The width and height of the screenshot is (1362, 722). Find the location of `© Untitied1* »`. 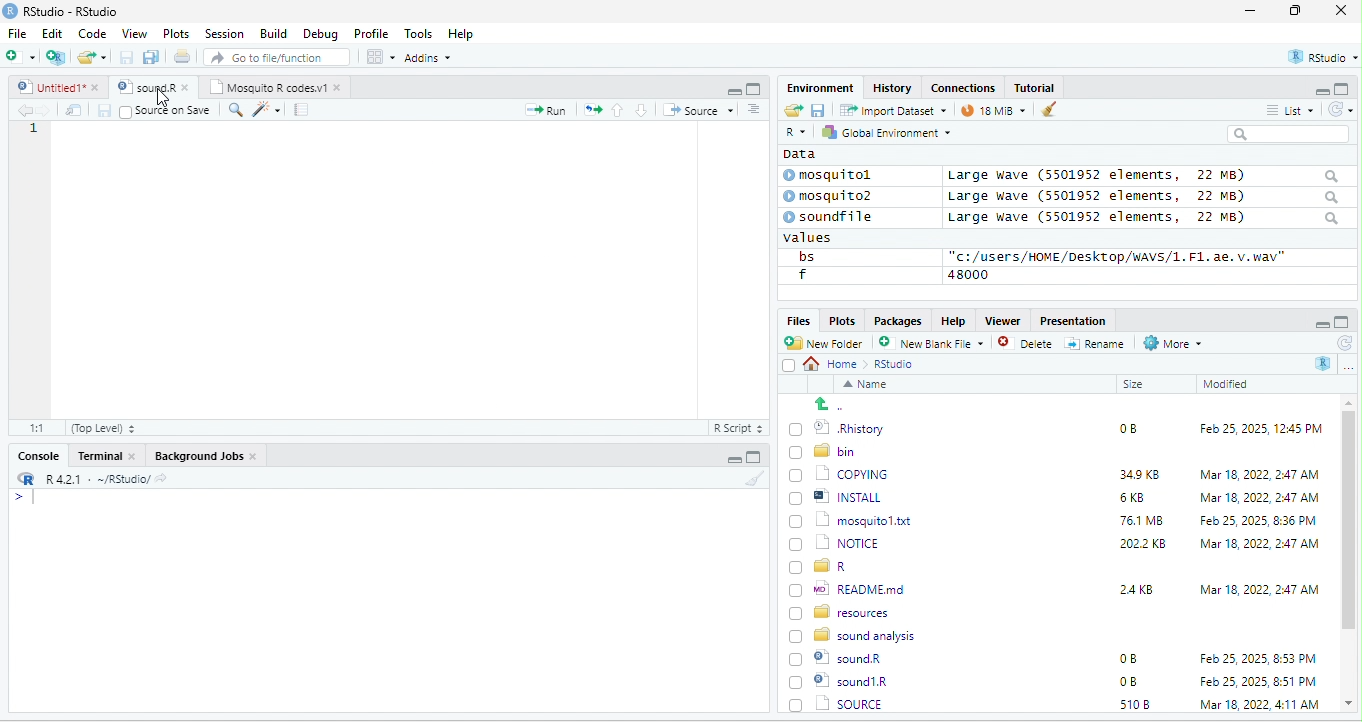

© Untitied1* » is located at coordinates (54, 87).